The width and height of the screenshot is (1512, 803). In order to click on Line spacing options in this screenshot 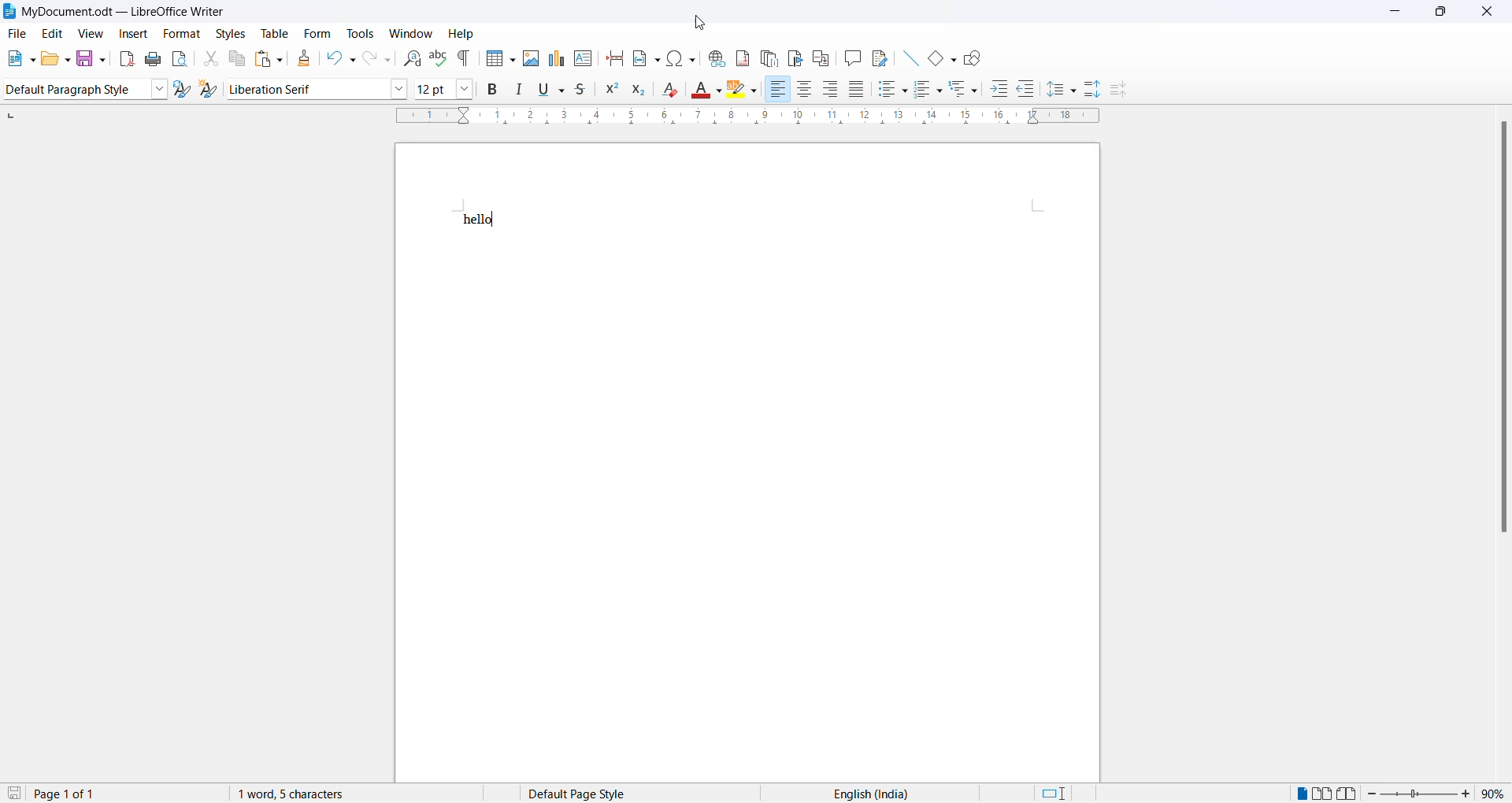, I will do `click(1062, 91)`.